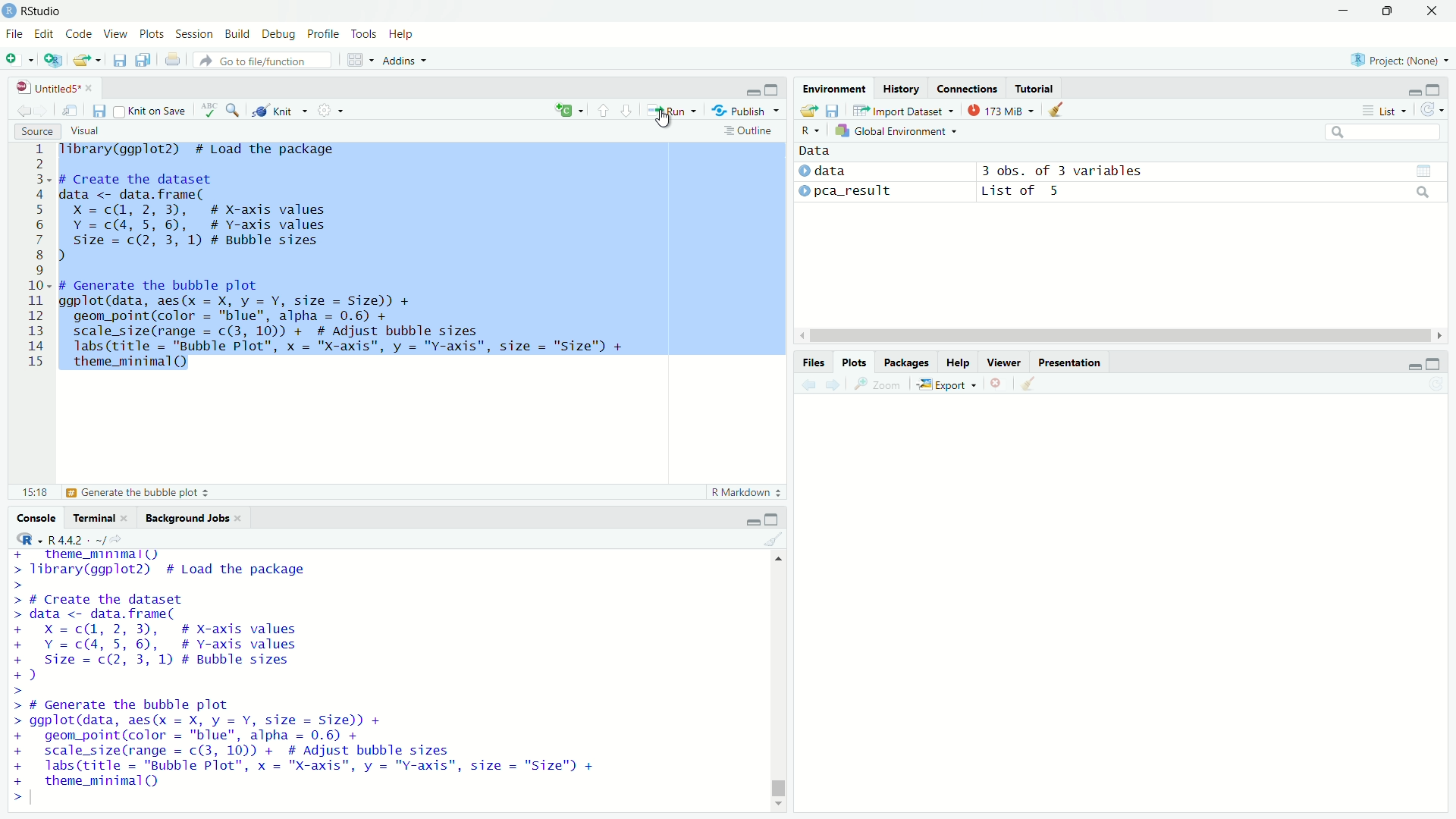 This screenshot has height=819, width=1456. What do you see at coordinates (745, 109) in the screenshot?
I see `publish` at bounding box center [745, 109].